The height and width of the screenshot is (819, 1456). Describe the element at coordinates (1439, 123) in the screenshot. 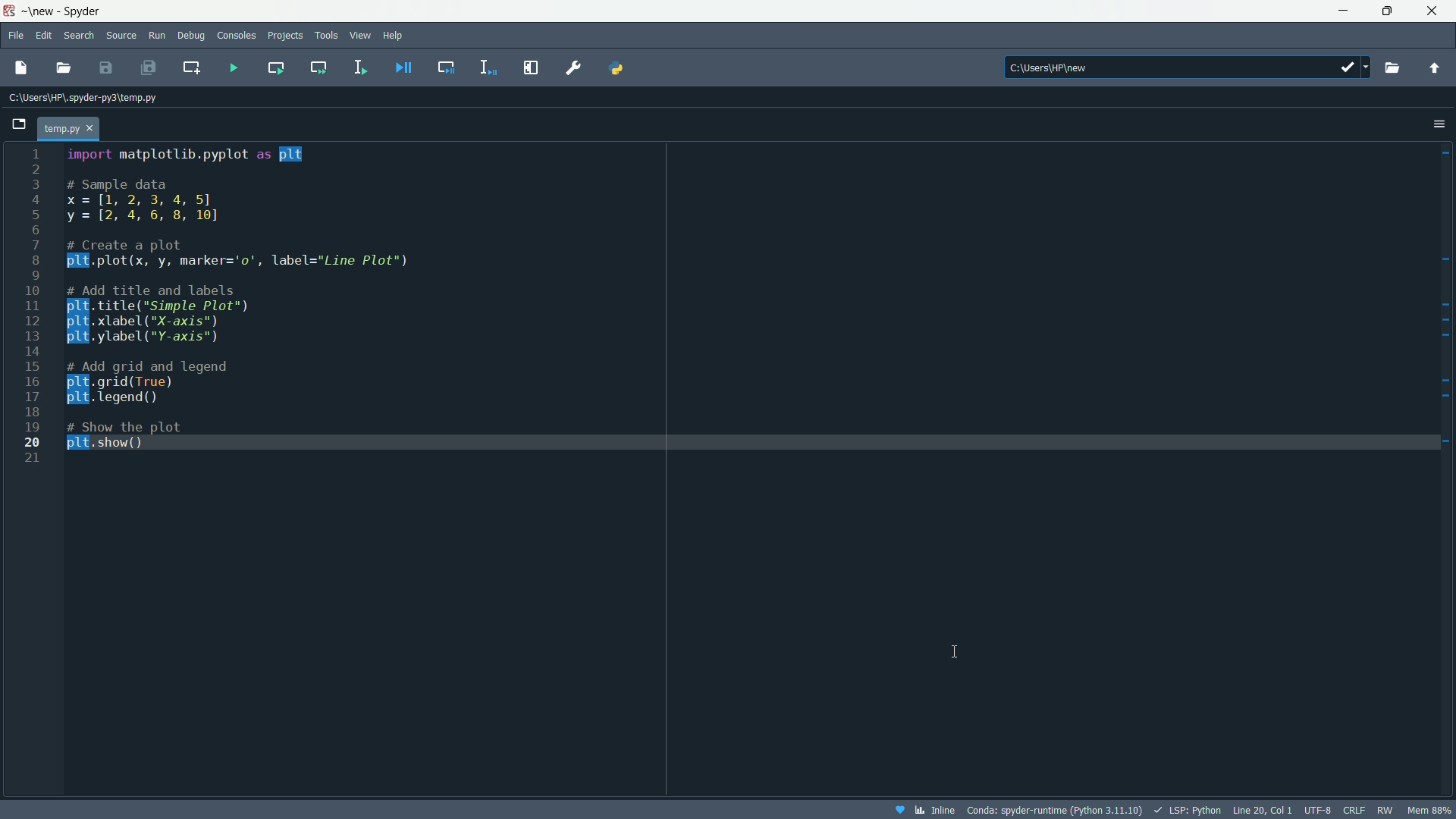

I see `options` at that location.